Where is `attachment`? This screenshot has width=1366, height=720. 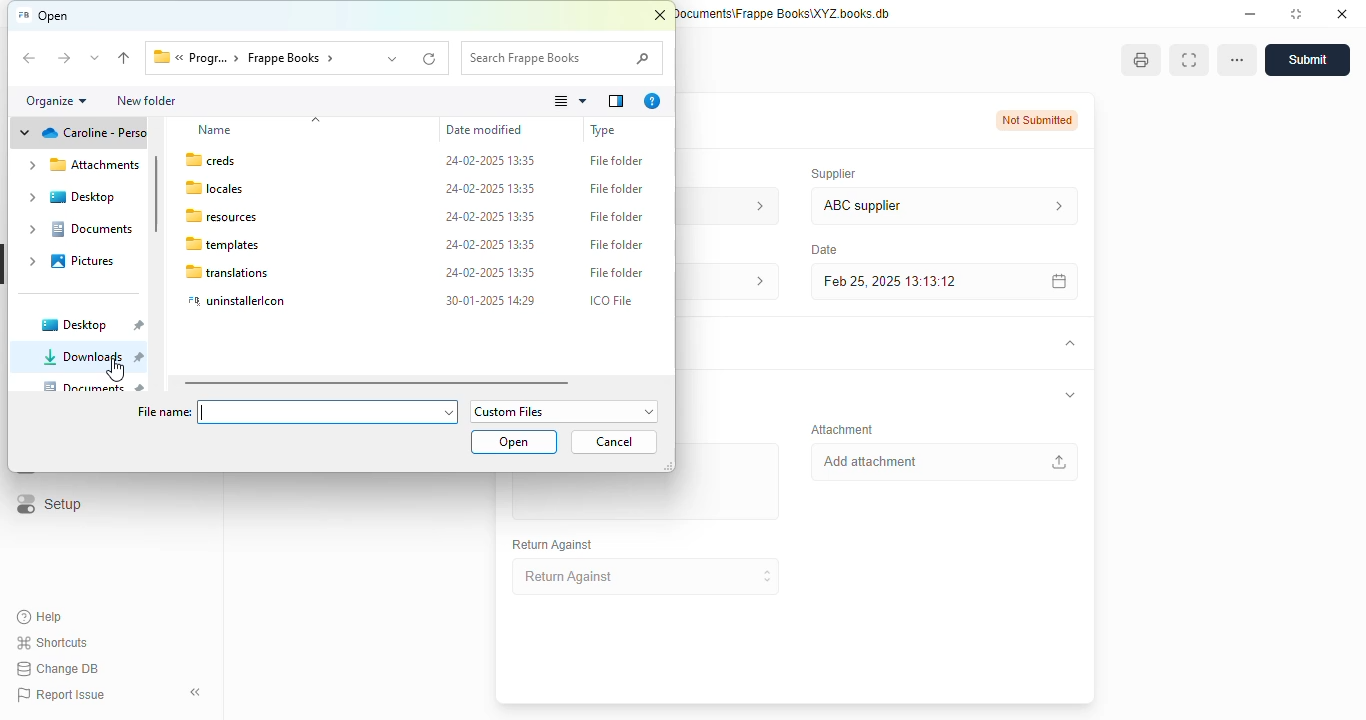
attachment is located at coordinates (842, 429).